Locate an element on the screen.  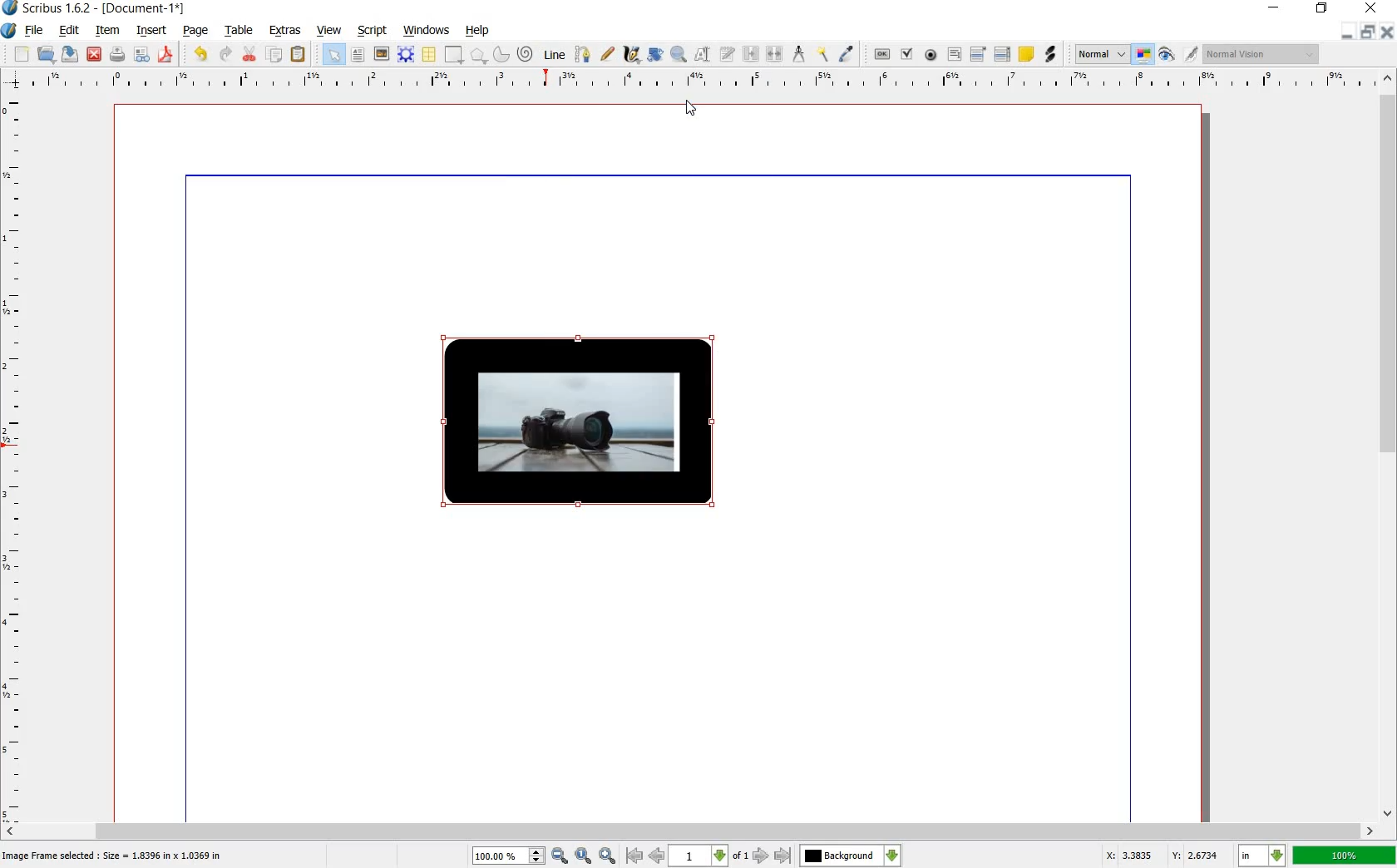
minimize is located at coordinates (1275, 8).